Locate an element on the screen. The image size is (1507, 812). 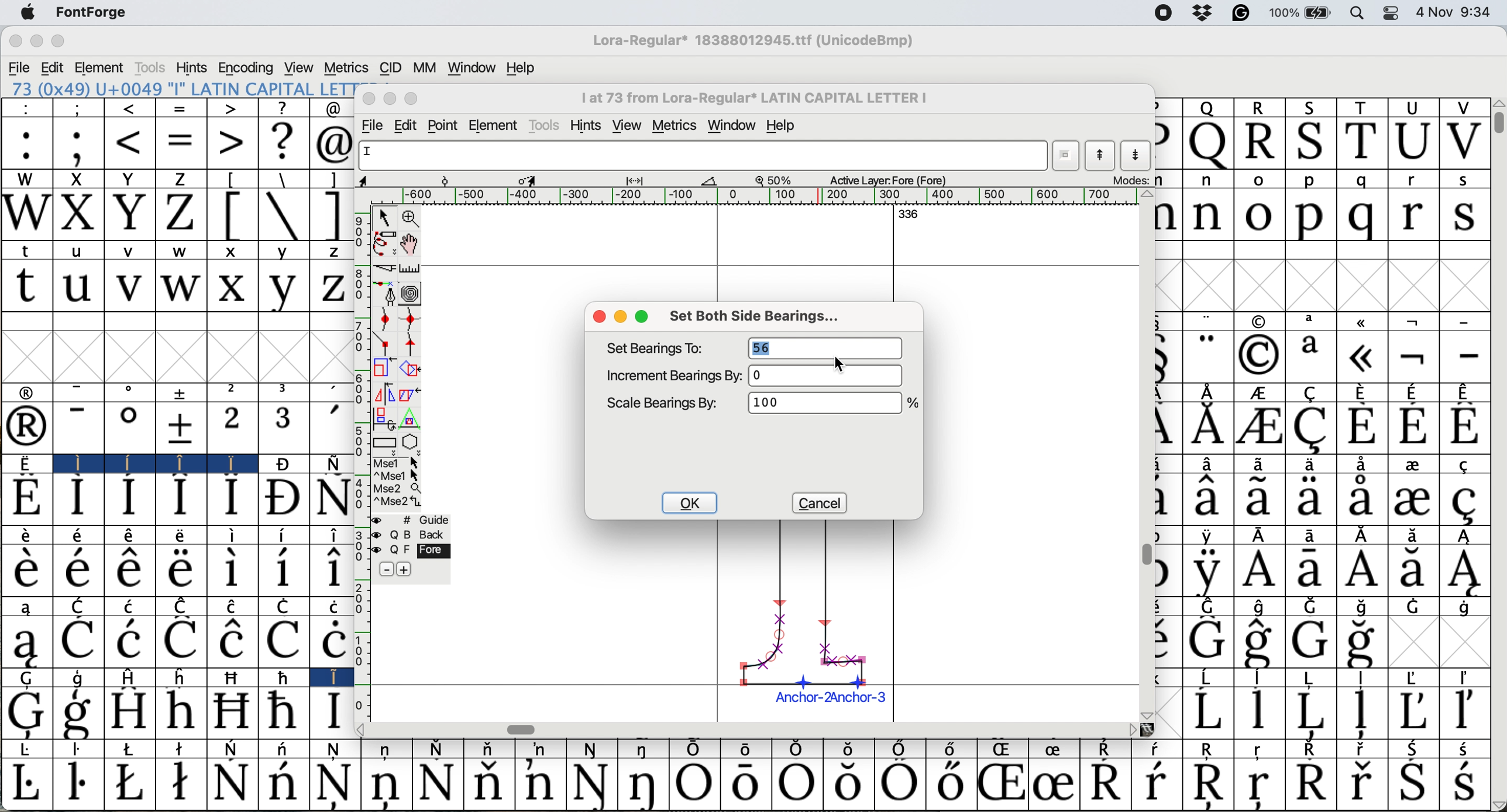
Q is located at coordinates (1209, 144).